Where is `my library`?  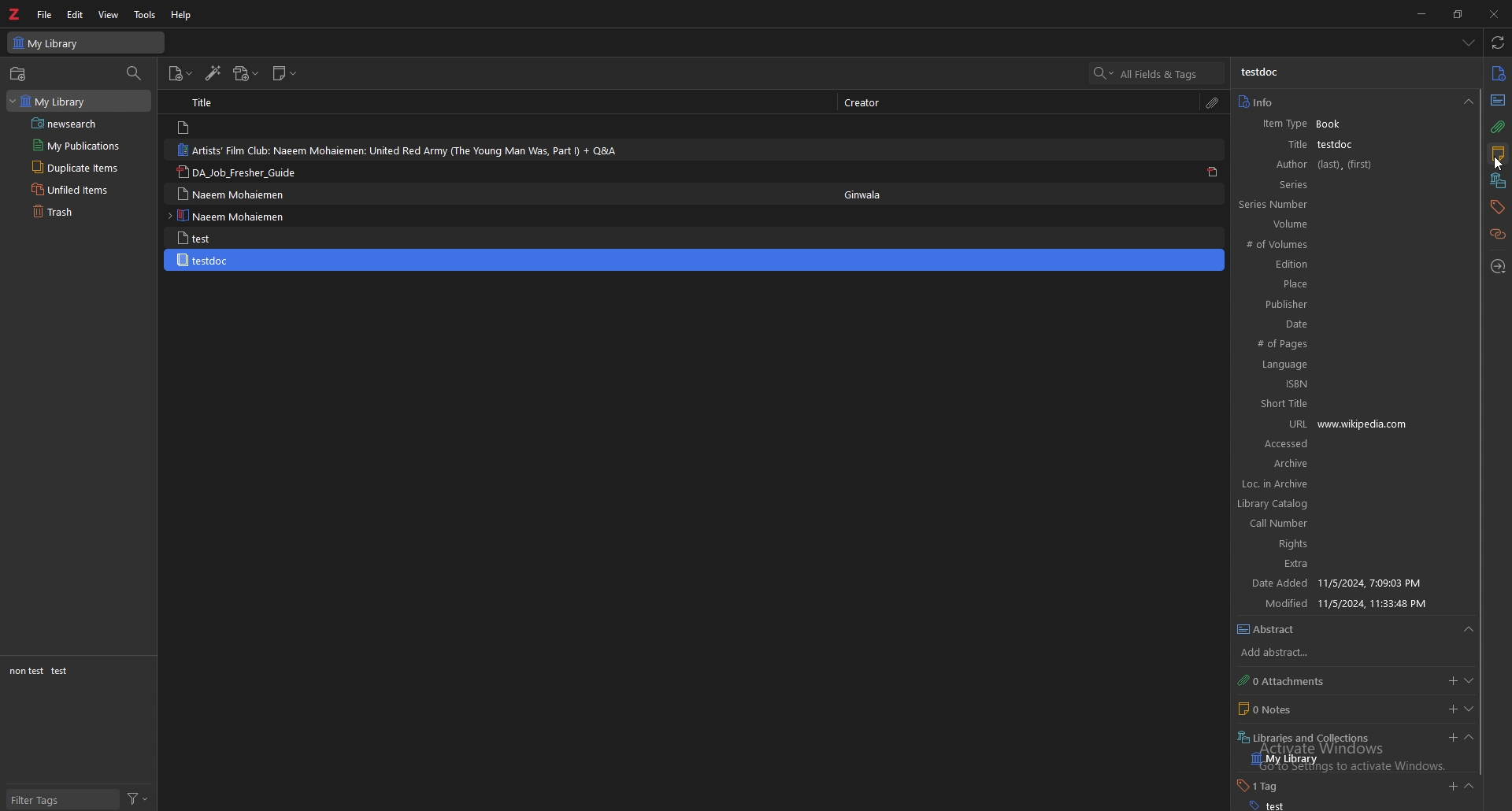
my library is located at coordinates (1288, 761).